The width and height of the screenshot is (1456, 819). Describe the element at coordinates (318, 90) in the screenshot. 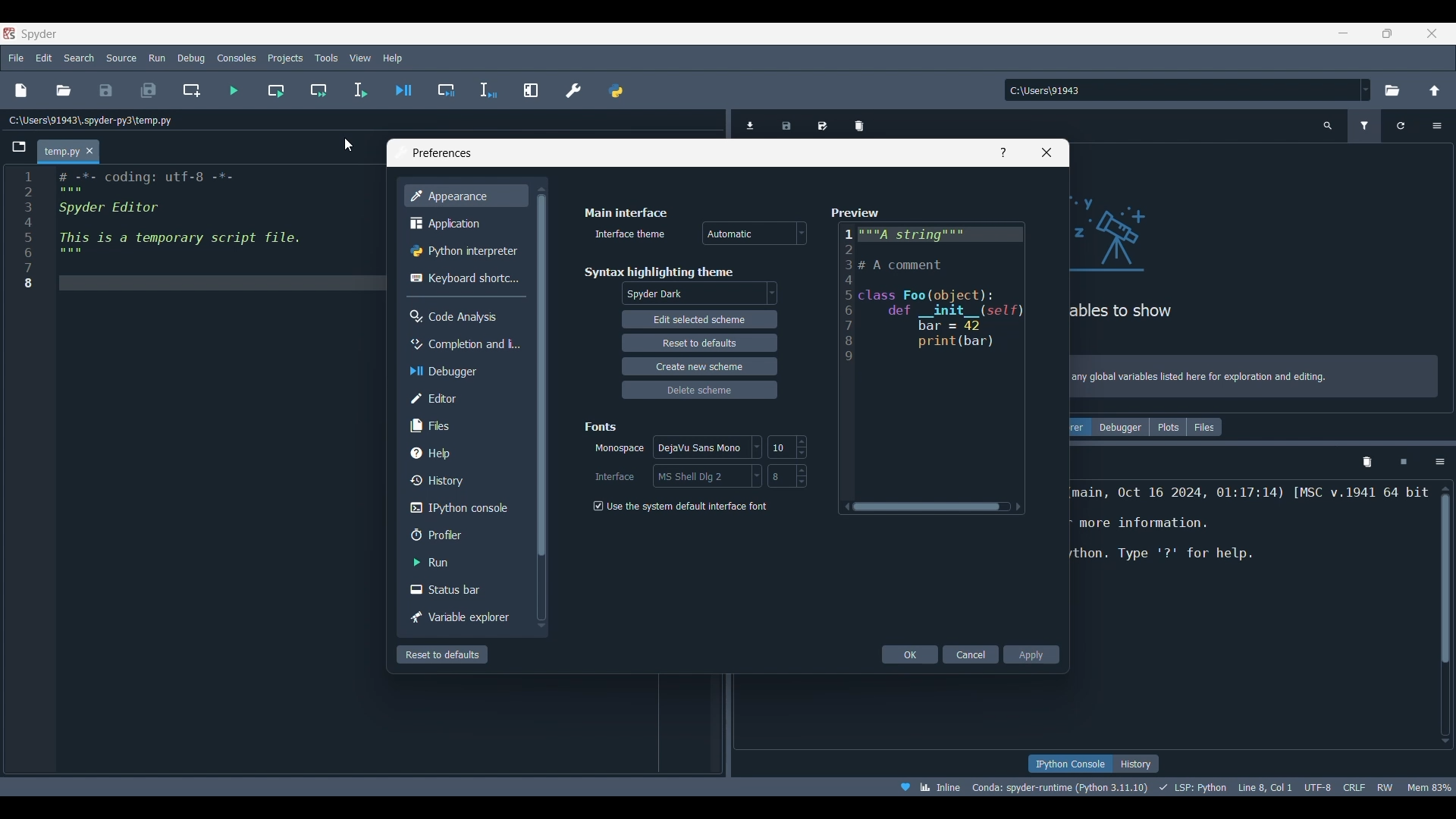

I see `Run current cell and go to the next one` at that location.